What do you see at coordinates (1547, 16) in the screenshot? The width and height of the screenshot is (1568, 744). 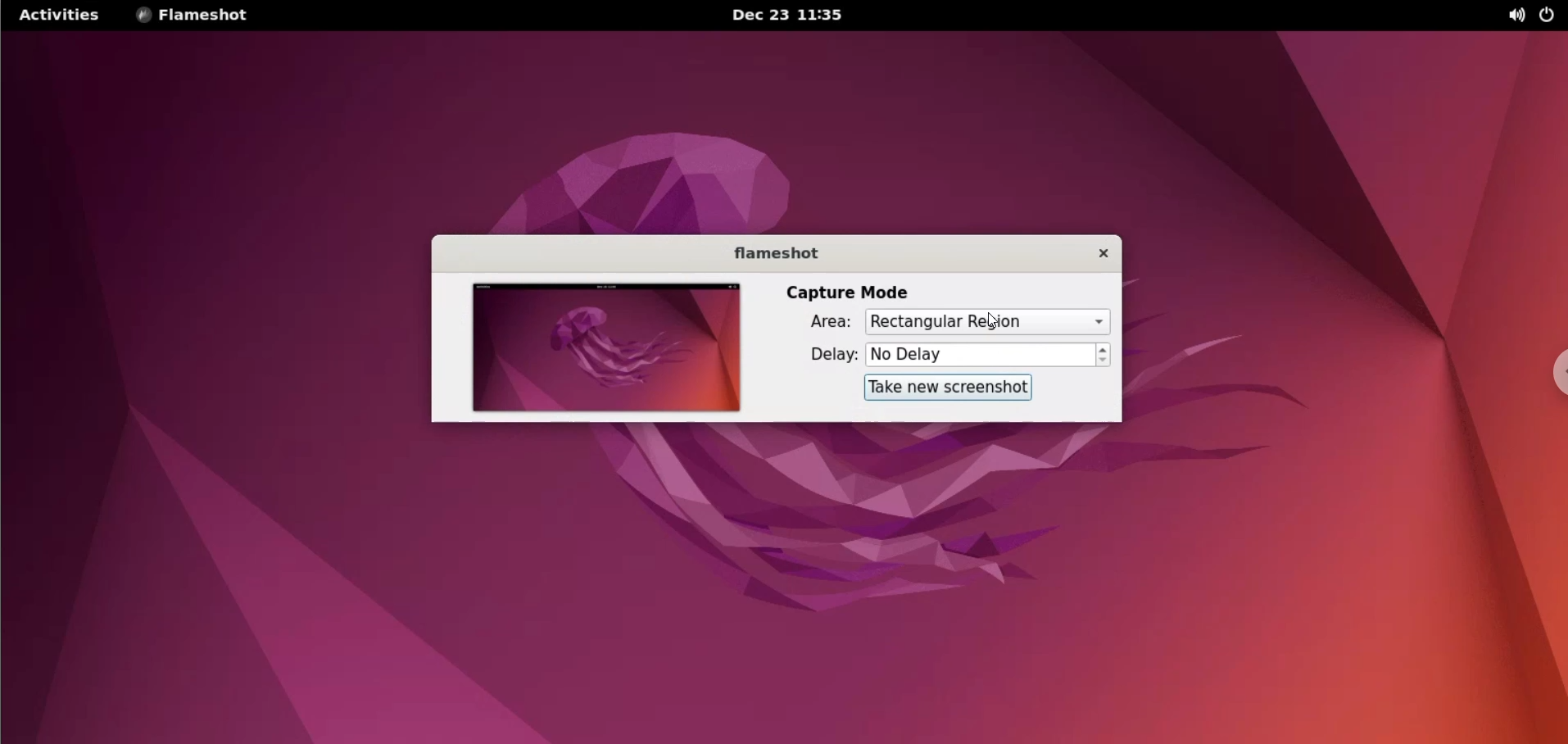 I see `power options` at bounding box center [1547, 16].